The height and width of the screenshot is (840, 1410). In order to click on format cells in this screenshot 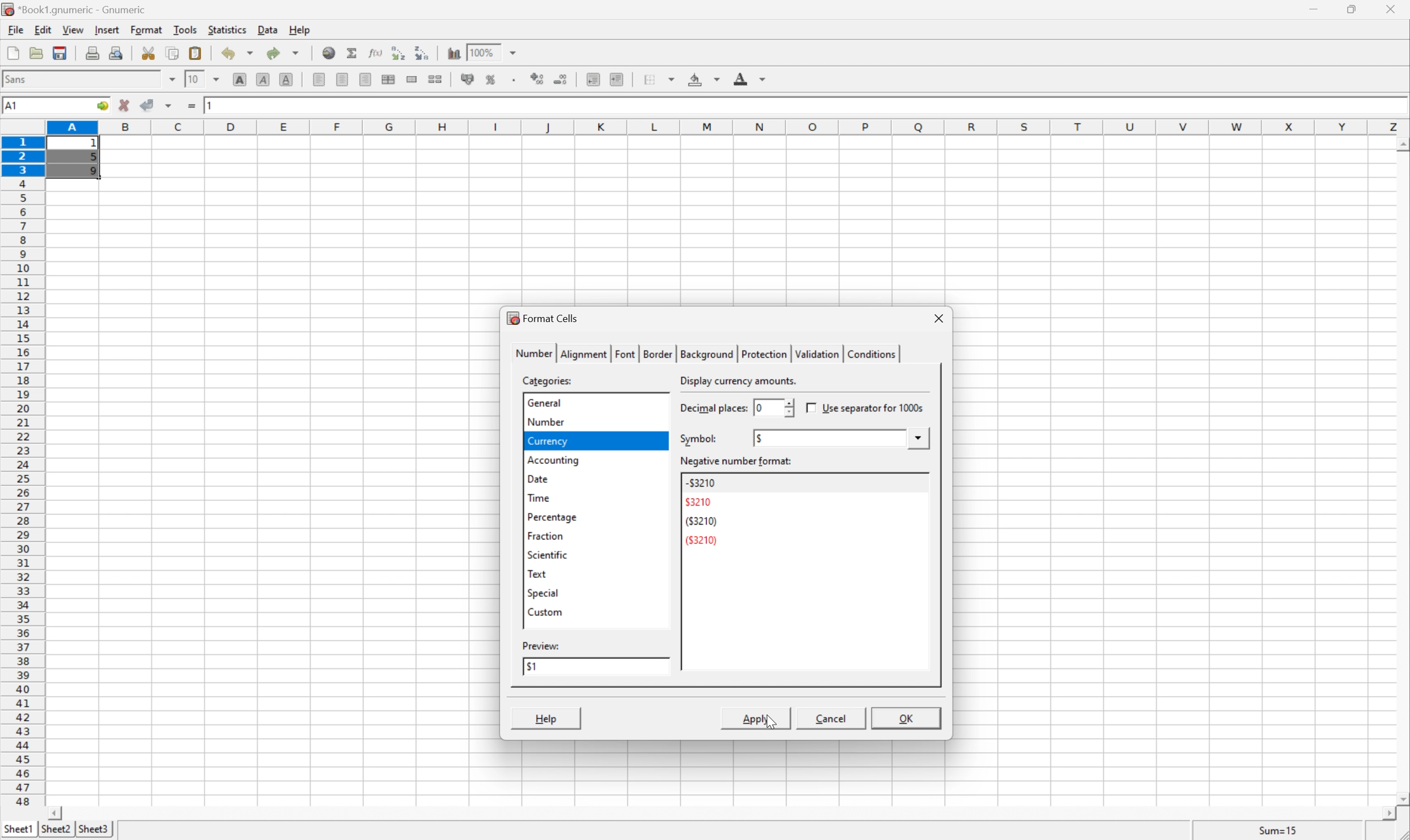, I will do `click(542, 317)`.